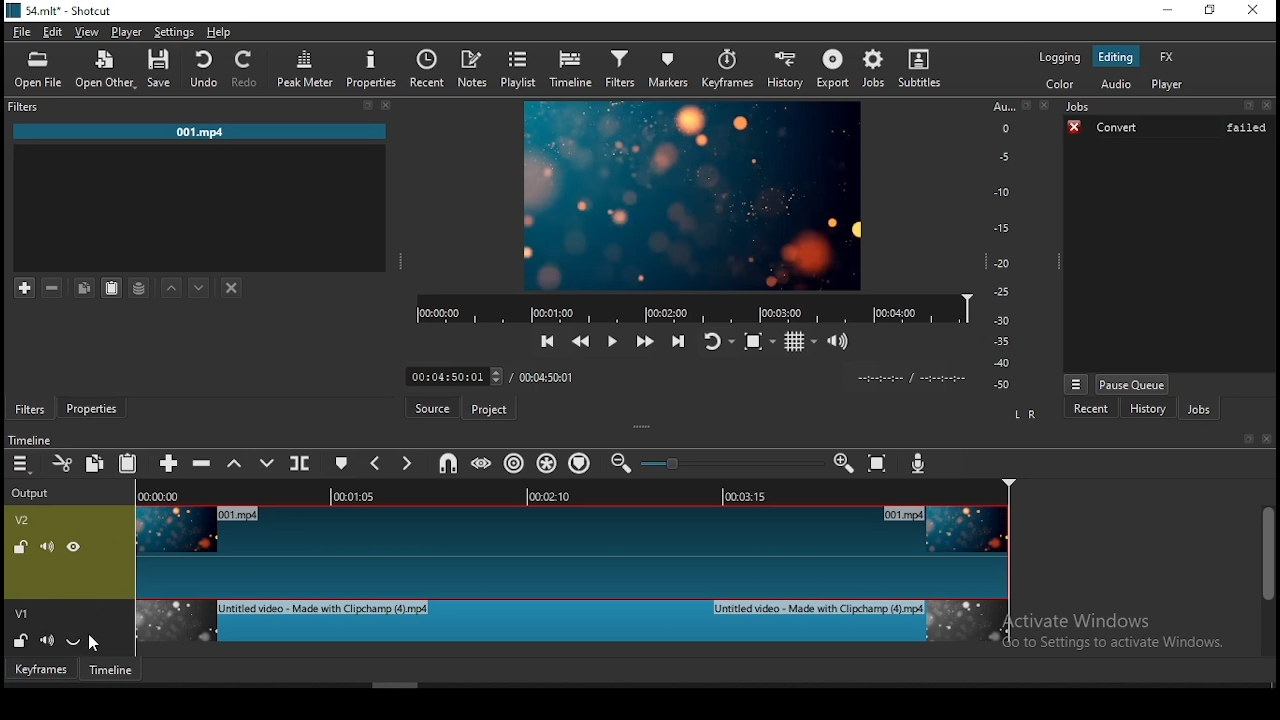 This screenshot has height=720, width=1280. I want to click on copy, so click(93, 462).